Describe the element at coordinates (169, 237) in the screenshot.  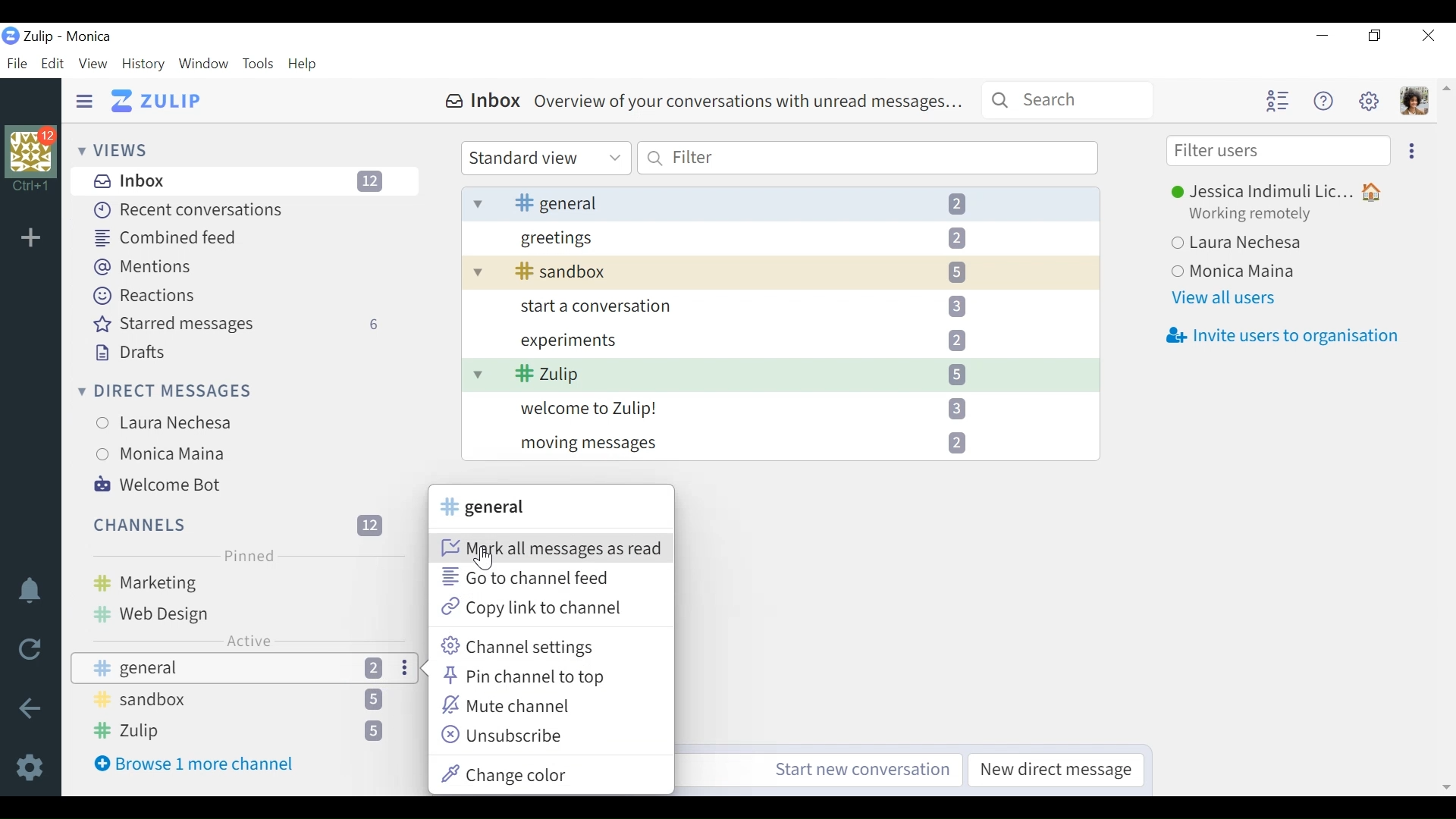
I see `Combined feed` at that location.